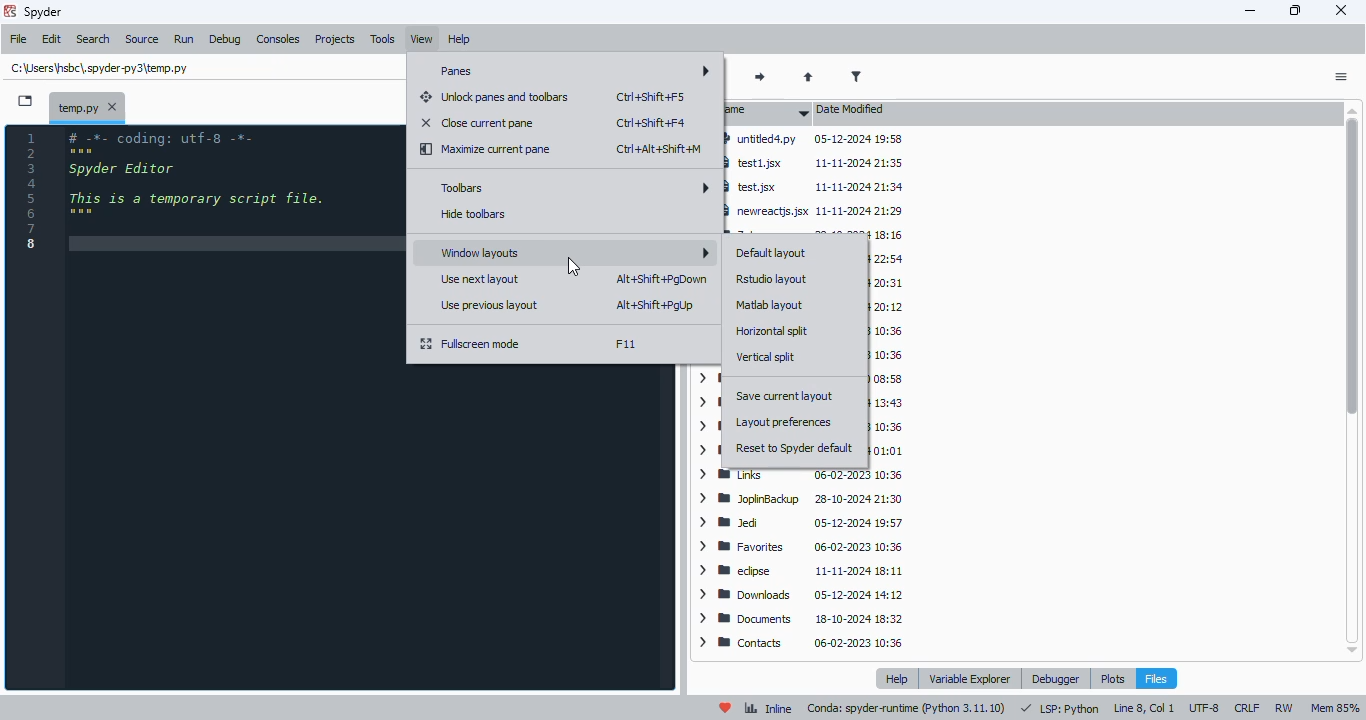 The height and width of the screenshot is (720, 1366). Describe the element at coordinates (785, 396) in the screenshot. I see `save current layout` at that location.